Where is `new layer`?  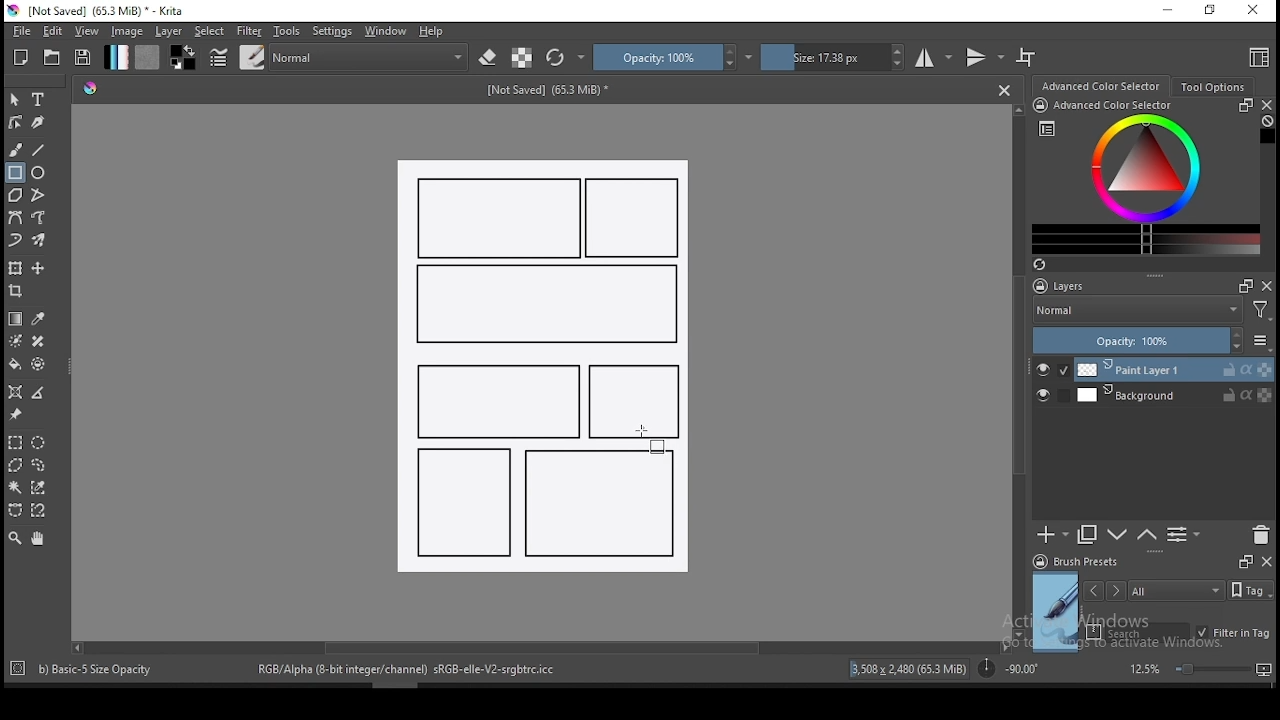 new layer is located at coordinates (1053, 534).